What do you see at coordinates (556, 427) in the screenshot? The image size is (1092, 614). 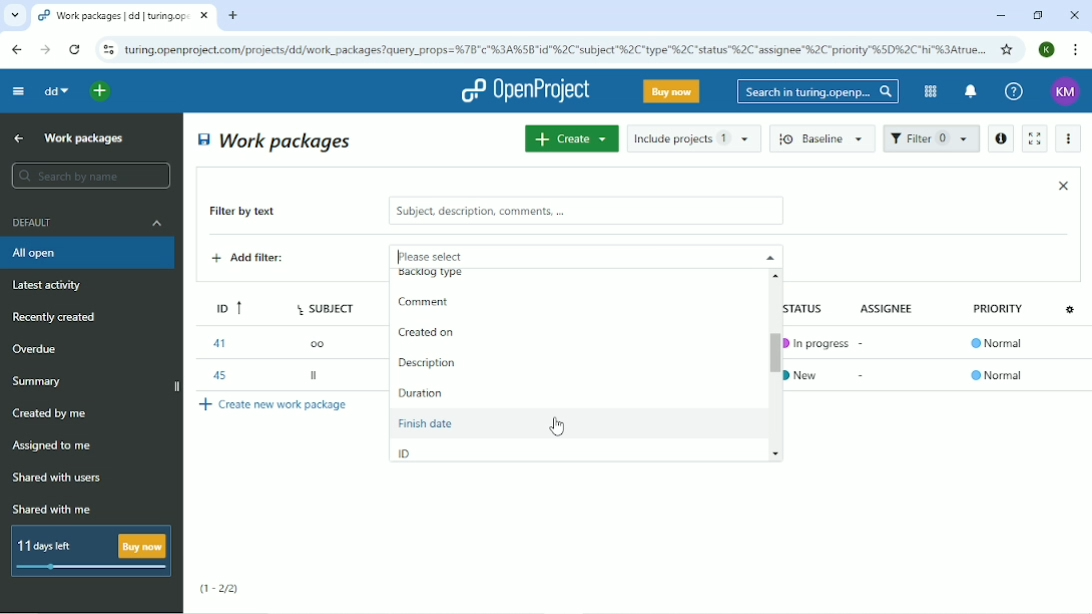 I see `Cursor` at bounding box center [556, 427].